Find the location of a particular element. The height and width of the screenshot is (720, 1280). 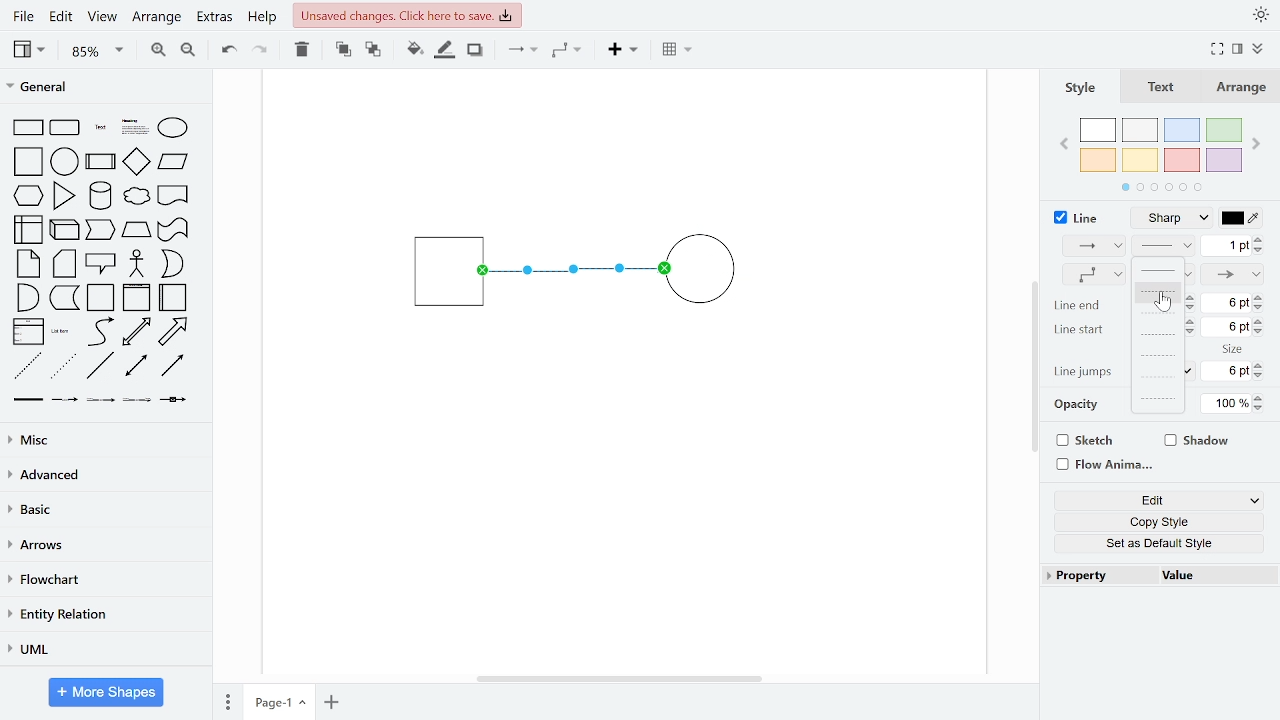

cloud is located at coordinates (135, 197).